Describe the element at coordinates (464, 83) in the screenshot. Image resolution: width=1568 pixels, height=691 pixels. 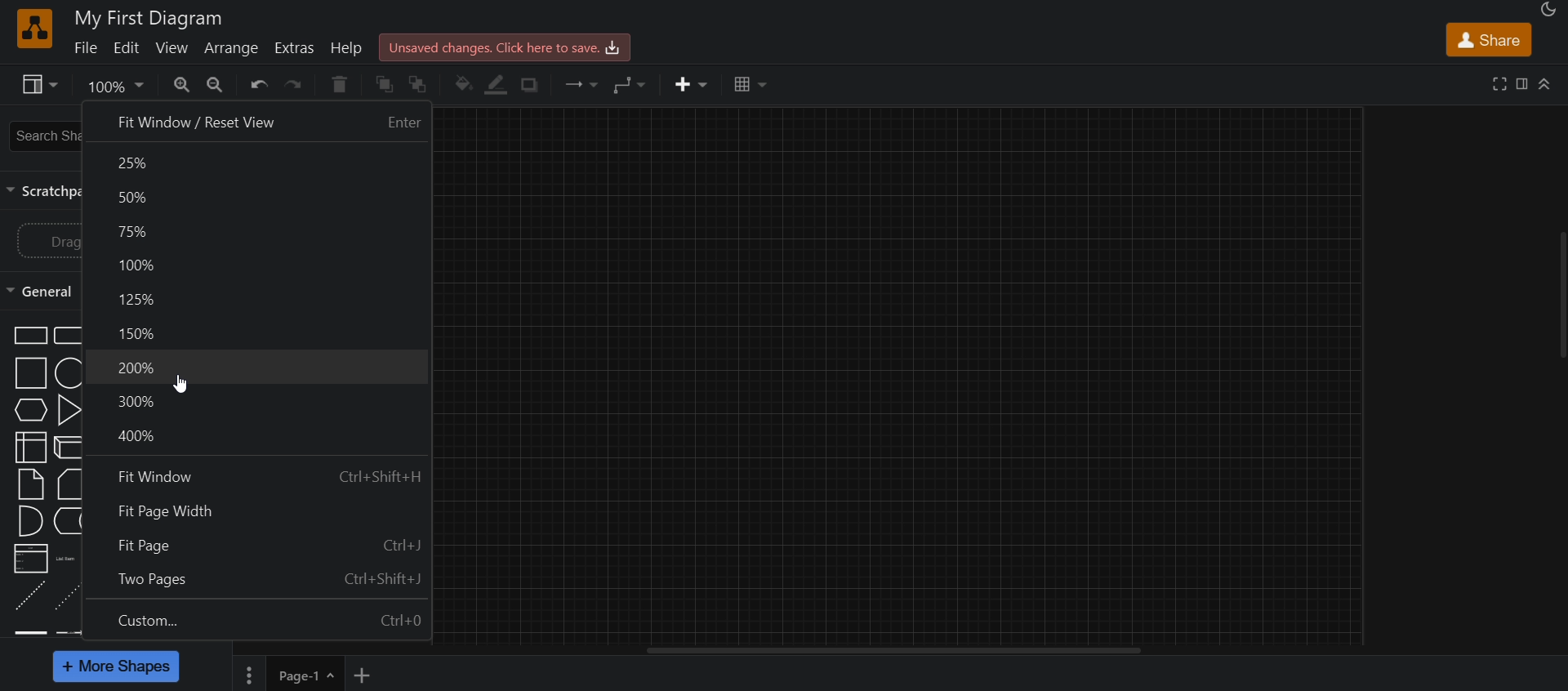
I see `fill color` at that location.